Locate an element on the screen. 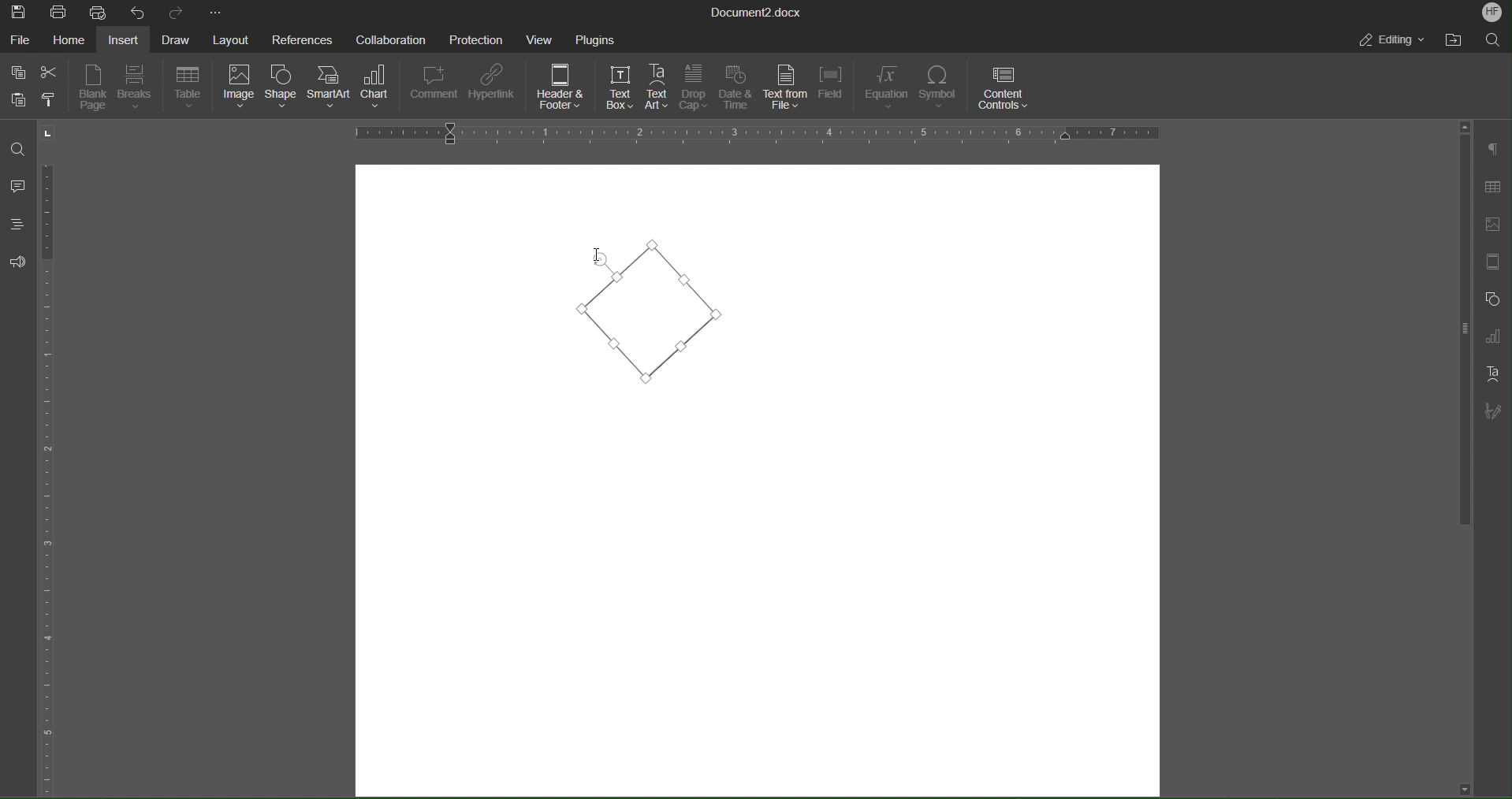 The image size is (1512, 799). Table is located at coordinates (1492, 188).